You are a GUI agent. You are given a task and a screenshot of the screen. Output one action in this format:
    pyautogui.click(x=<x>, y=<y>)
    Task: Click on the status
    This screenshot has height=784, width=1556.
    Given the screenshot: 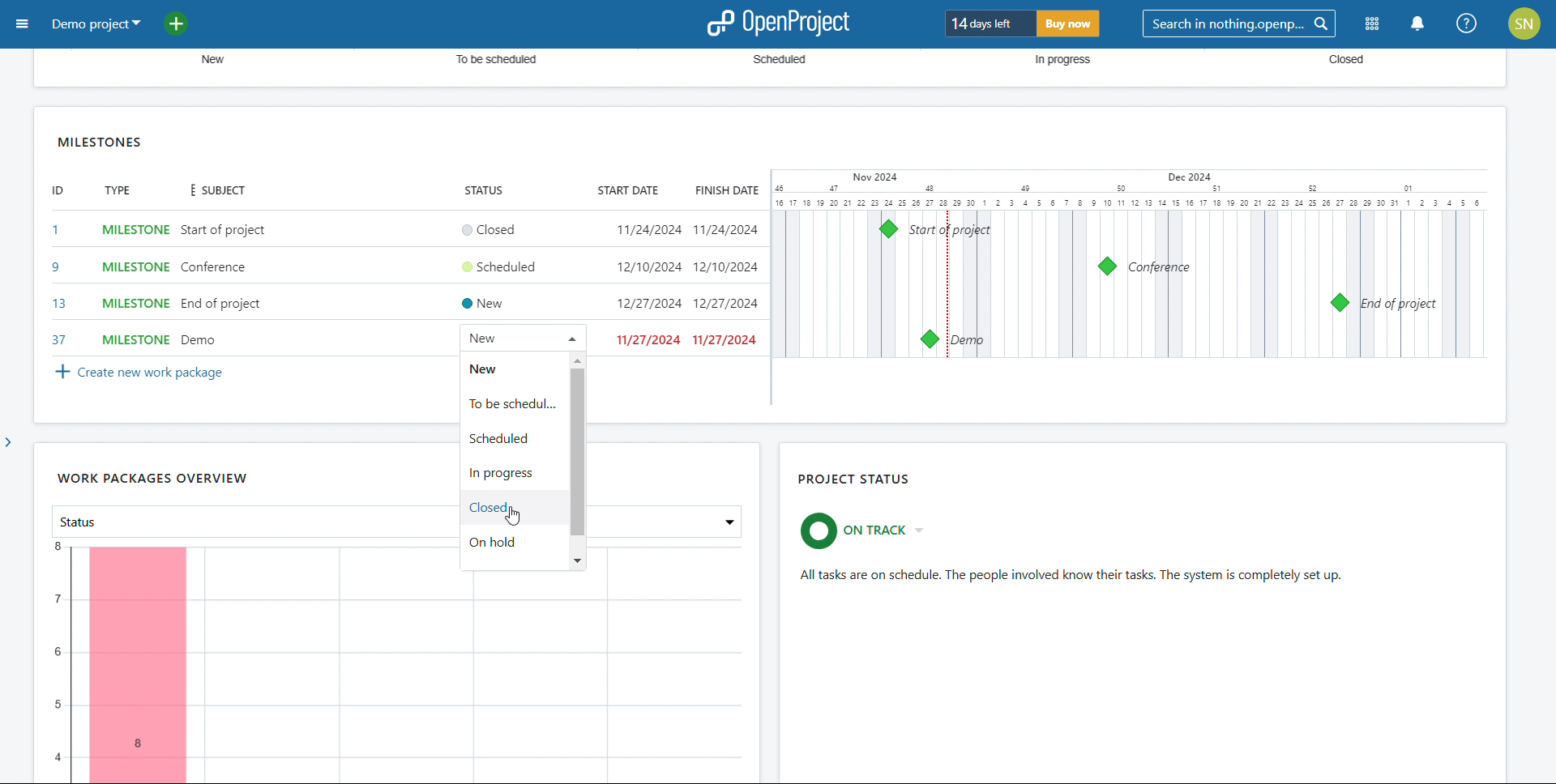 What is the action you would take?
    pyautogui.click(x=1074, y=576)
    